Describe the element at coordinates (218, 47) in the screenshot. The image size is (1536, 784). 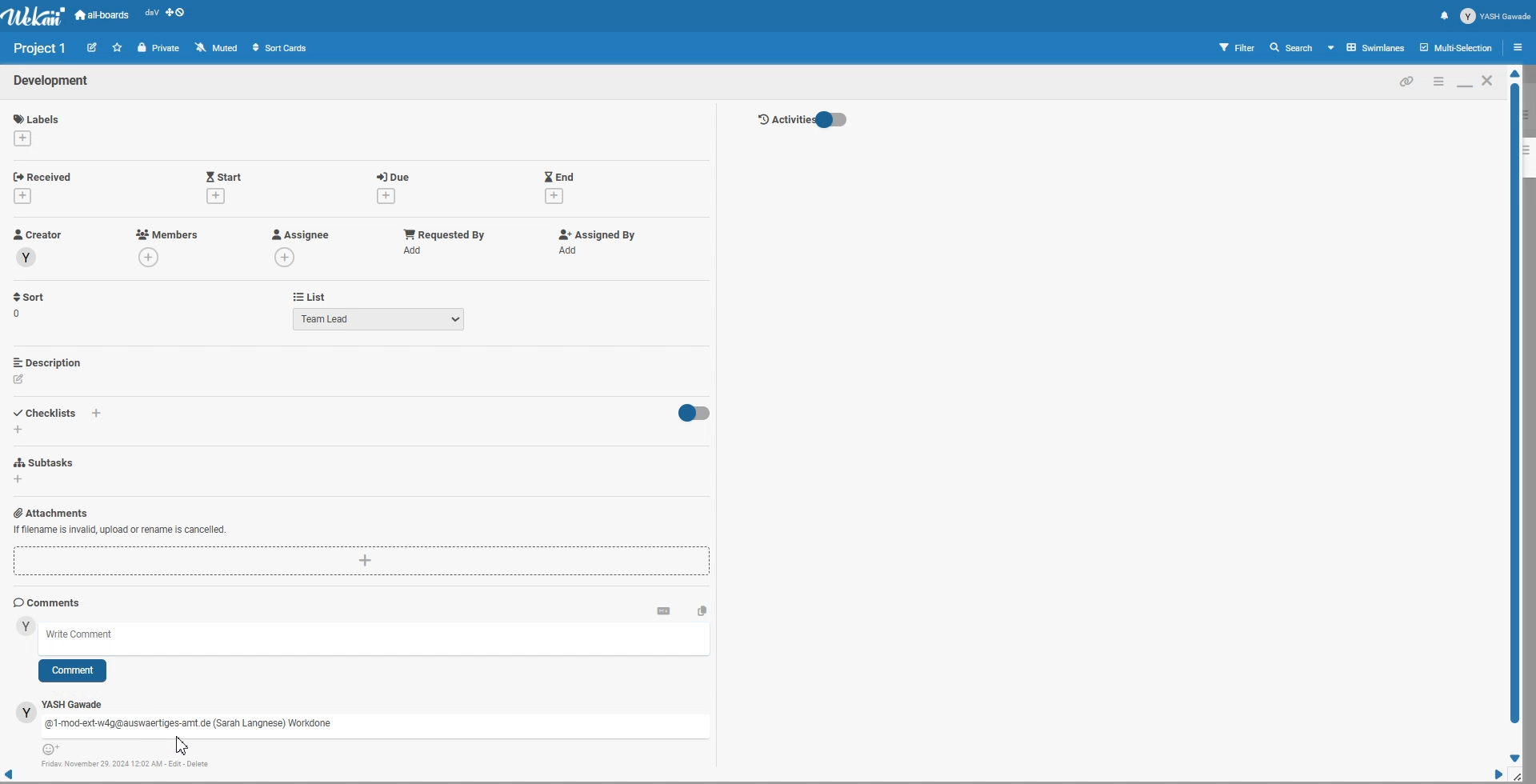
I see `Muted` at that location.